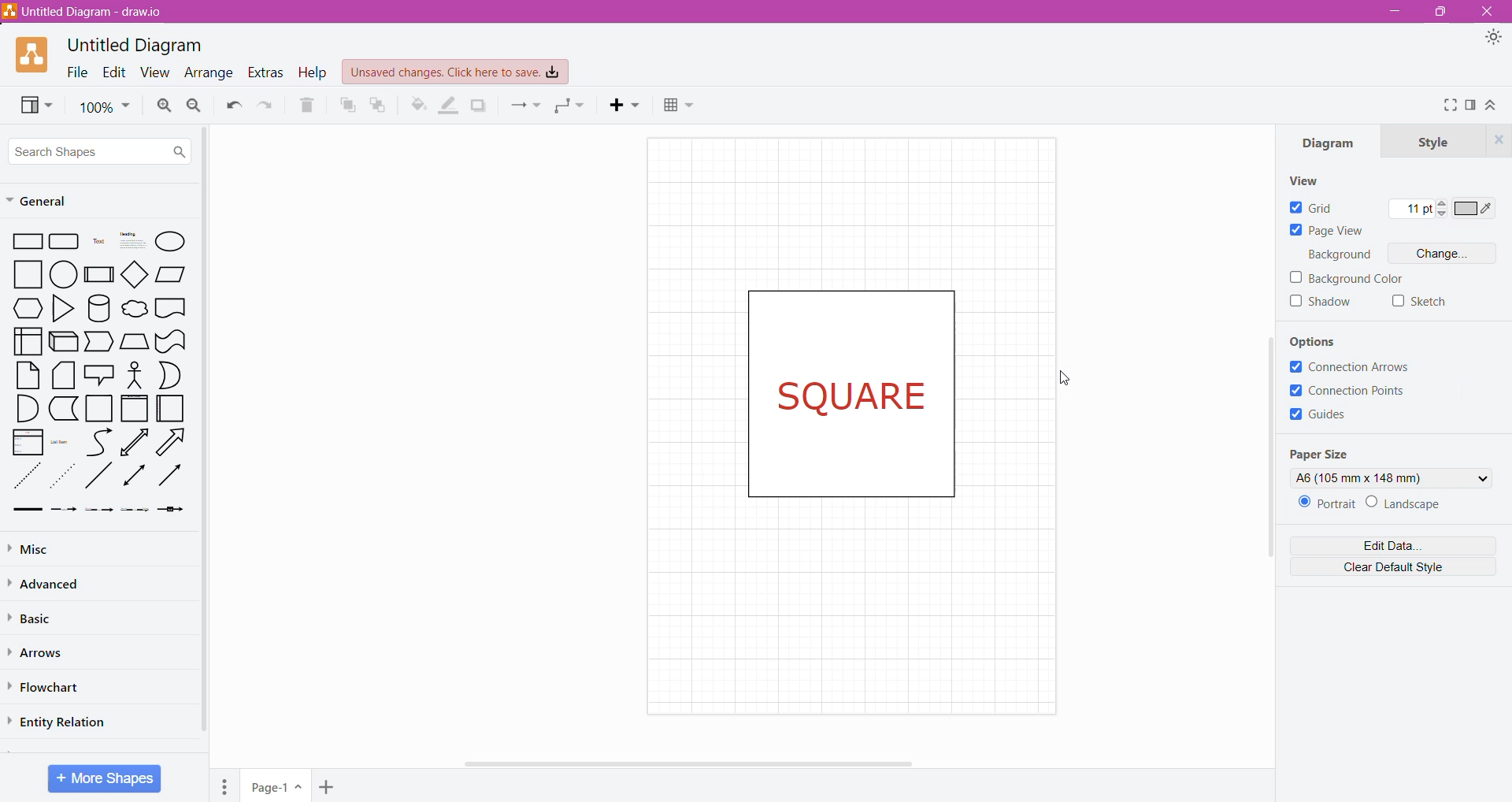 The height and width of the screenshot is (802, 1512). What do you see at coordinates (525, 105) in the screenshot?
I see `Connection` at bounding box center [525, 105].